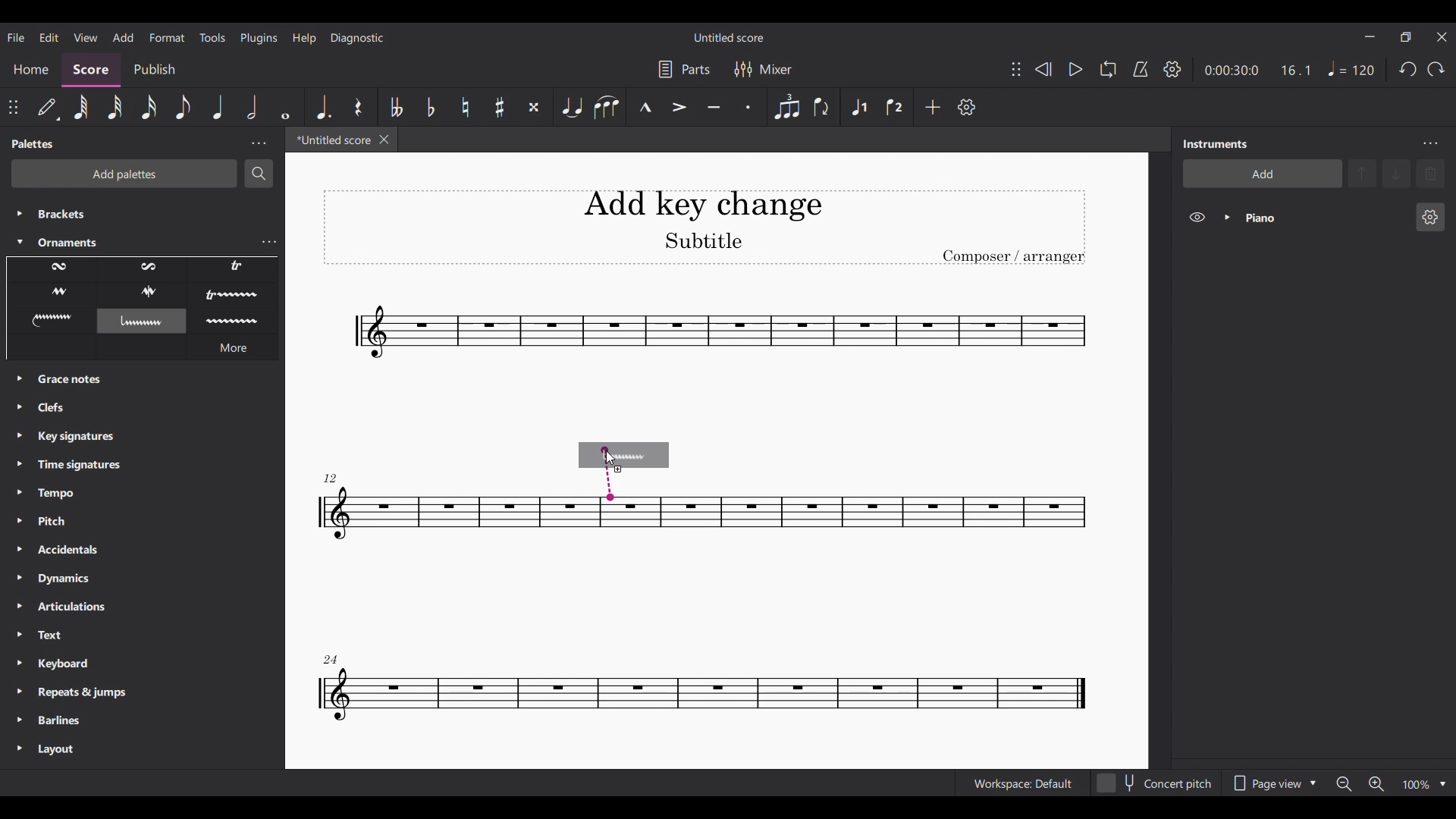 The image size is (1456, 819). What do you see at coordinates (763, 70) in the screenshot?
I see `Mixer settings` at bounding box center [763, 70].